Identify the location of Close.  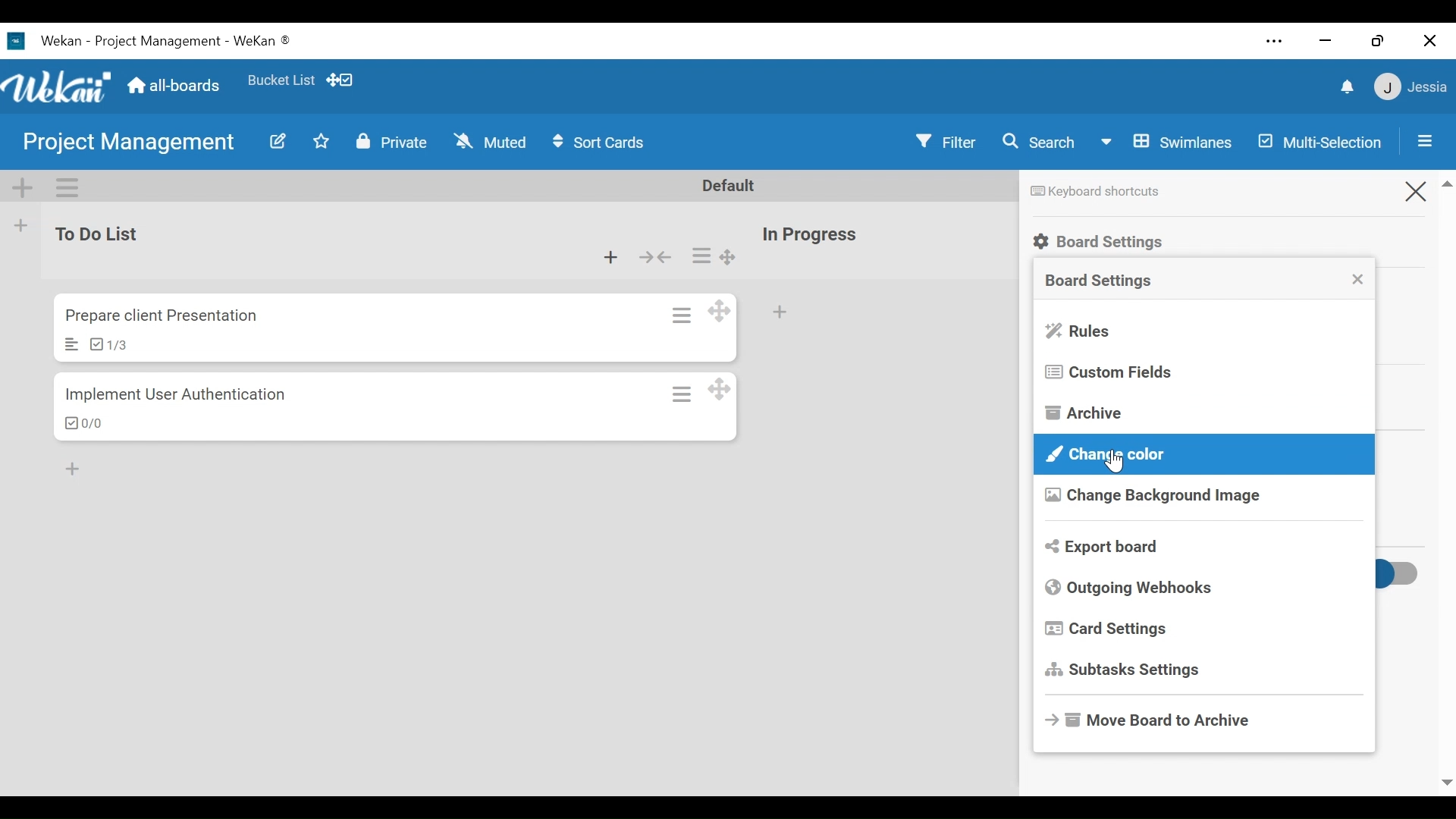
(1361, 278).